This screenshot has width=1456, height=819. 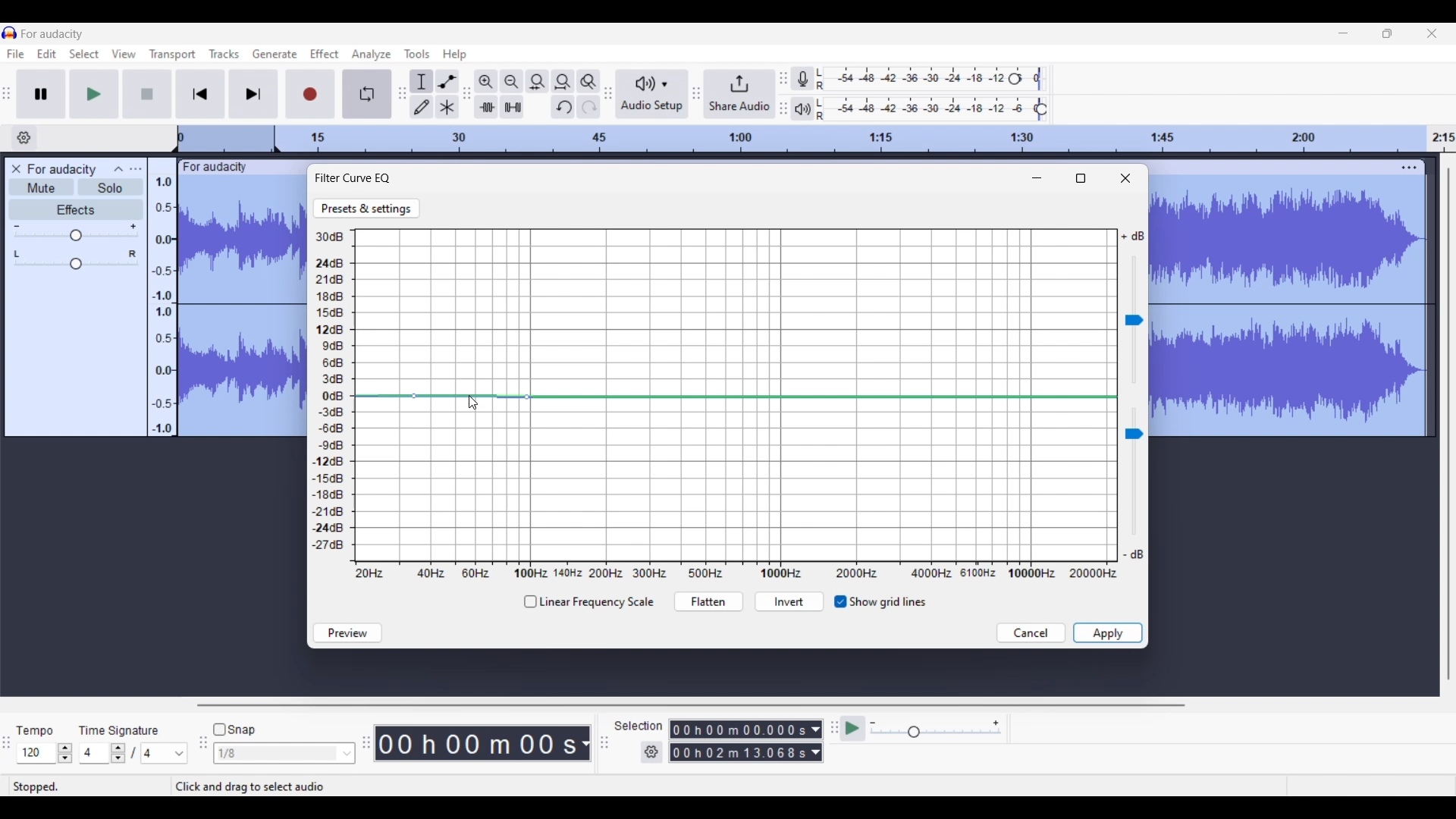 I want to click on Minimize, so click(x=1037, y=178).